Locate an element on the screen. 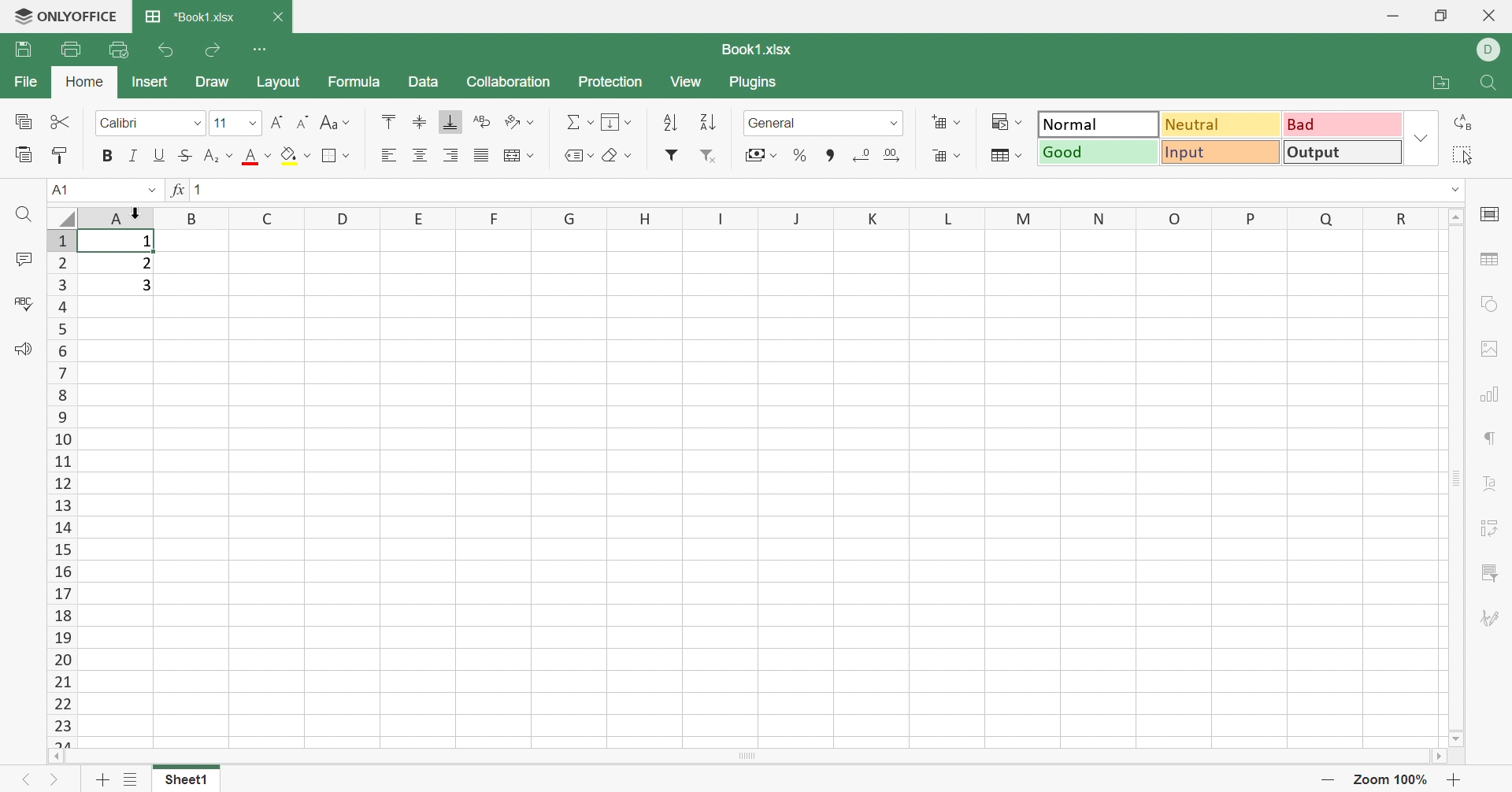 Image resolution: width=1512 pixels, height=792 pixels. Scroll left is located at coordinates (56, 757).